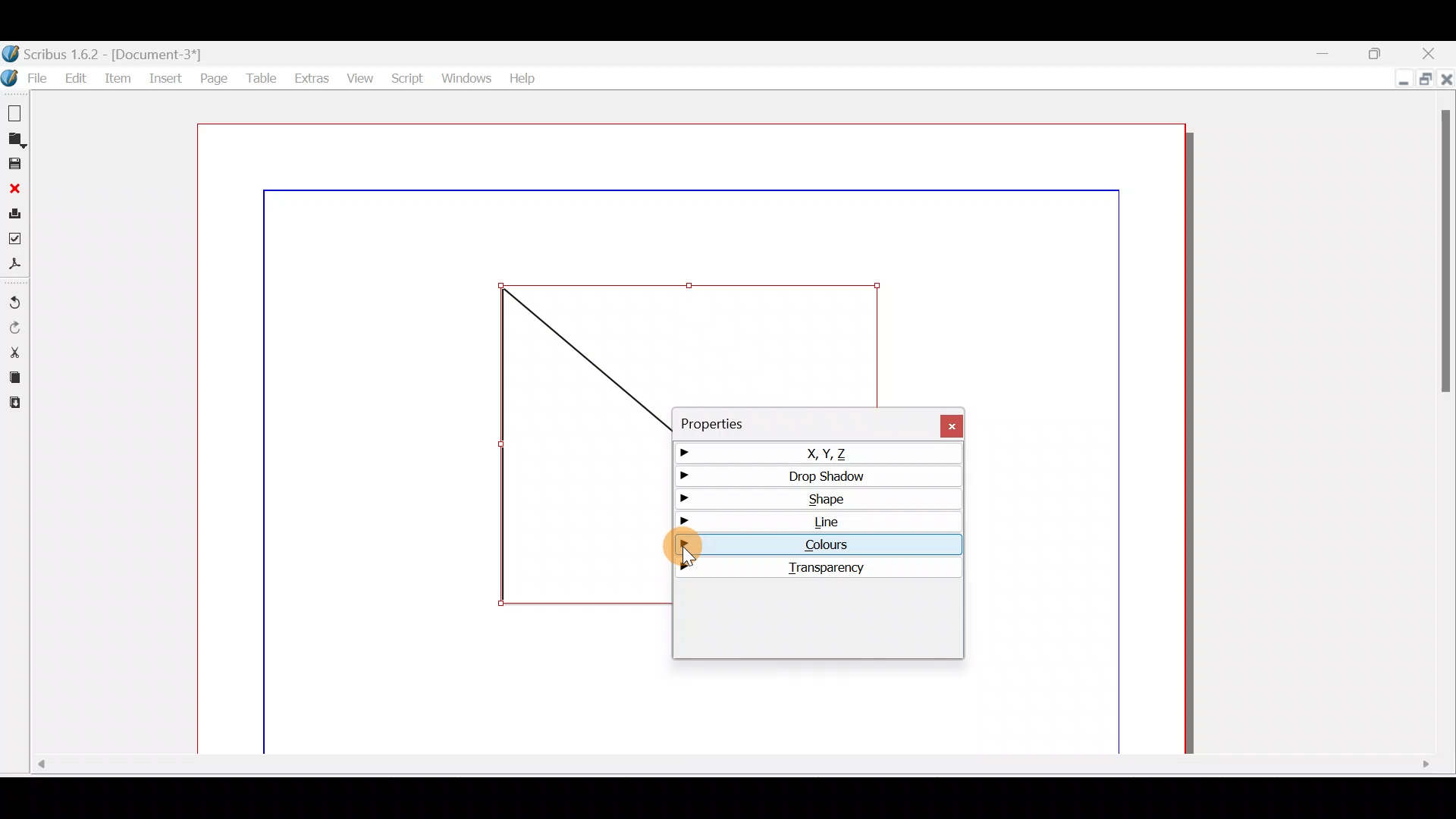  Describe the element at coordinates (817, 450) in the screenshot. I see `X,Y,Z` at that location.